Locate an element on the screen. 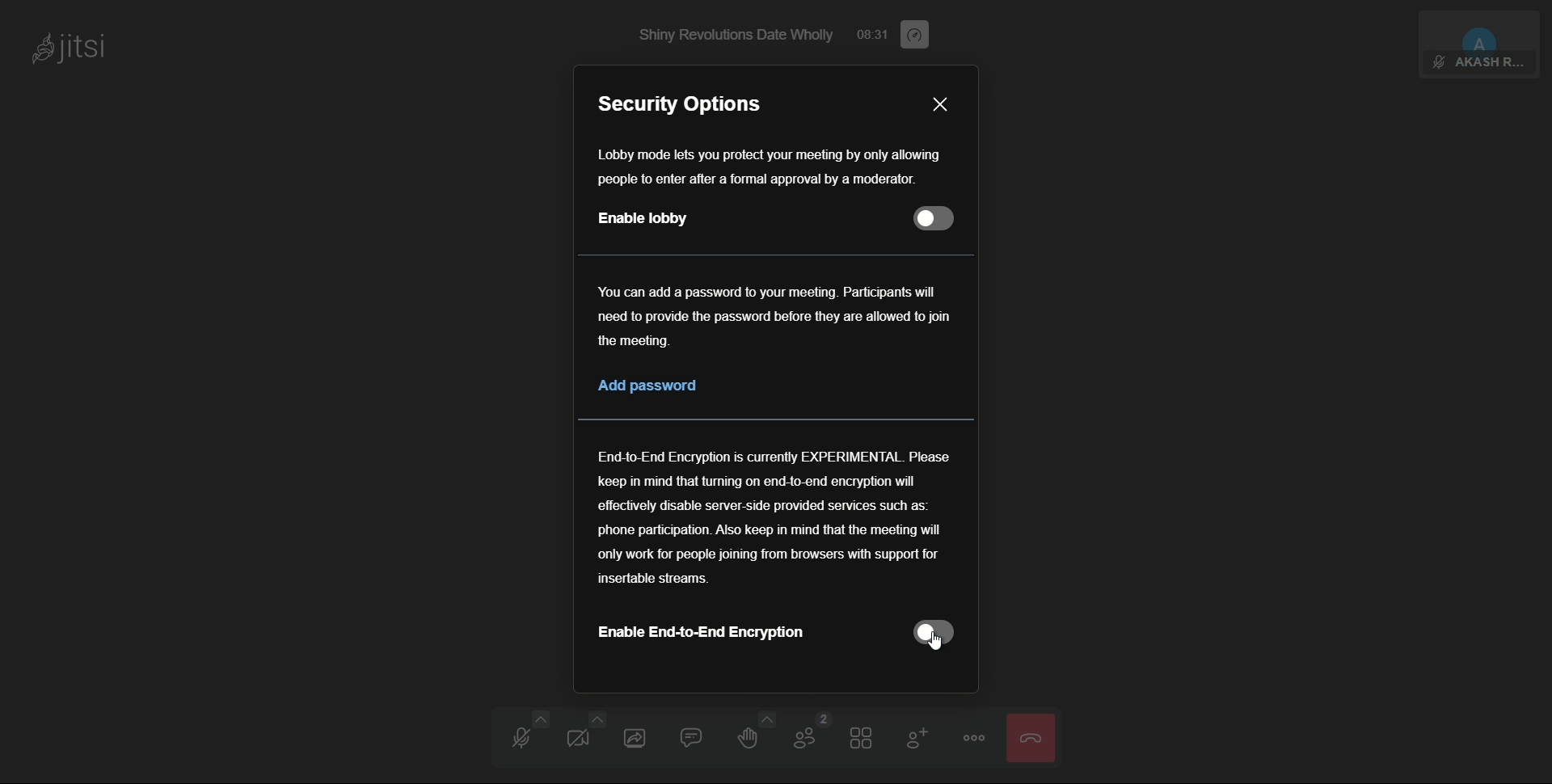 The image size is (1552, 784). performance setting is located at coordinates (915, 35).